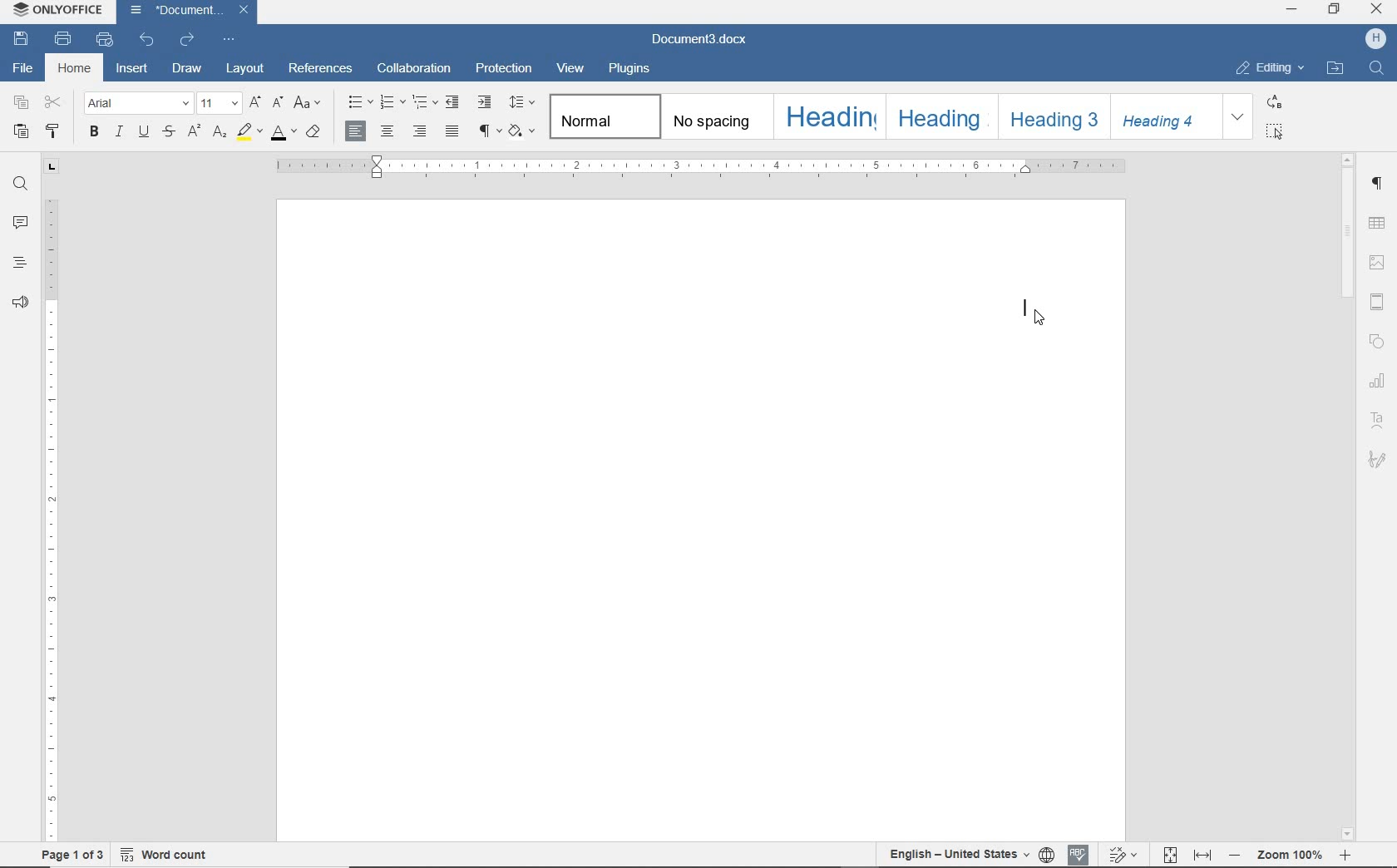 This screenshot has height=868, width=1397. Describe the element at coordinates (54, 131) in the screenshot. I see `COPY STYLE` at that location.